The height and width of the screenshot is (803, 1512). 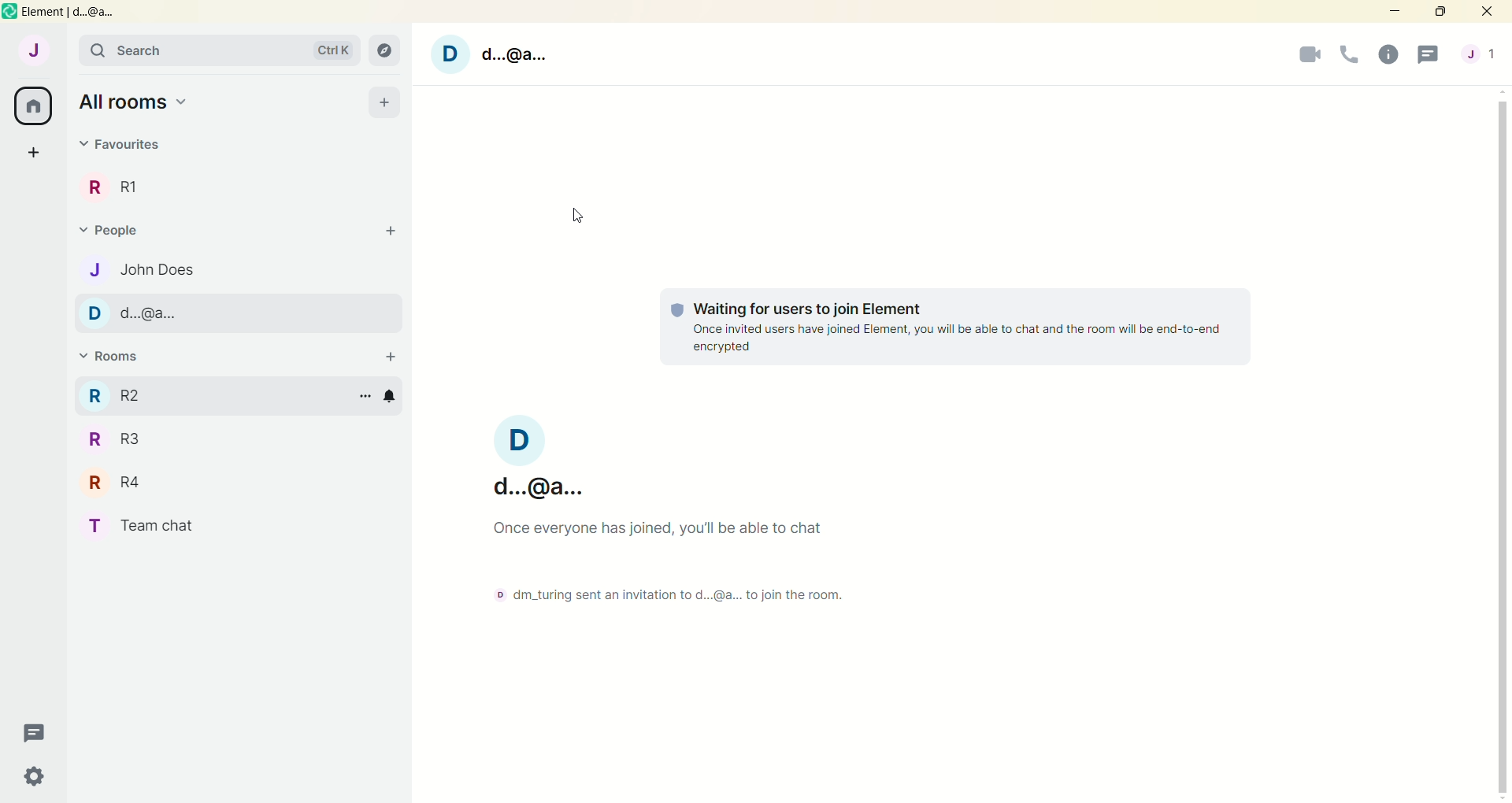 What do you see at coordinates (1429, 54) in the screenshot?
I see `threads` at bounding box center [1429, 54].